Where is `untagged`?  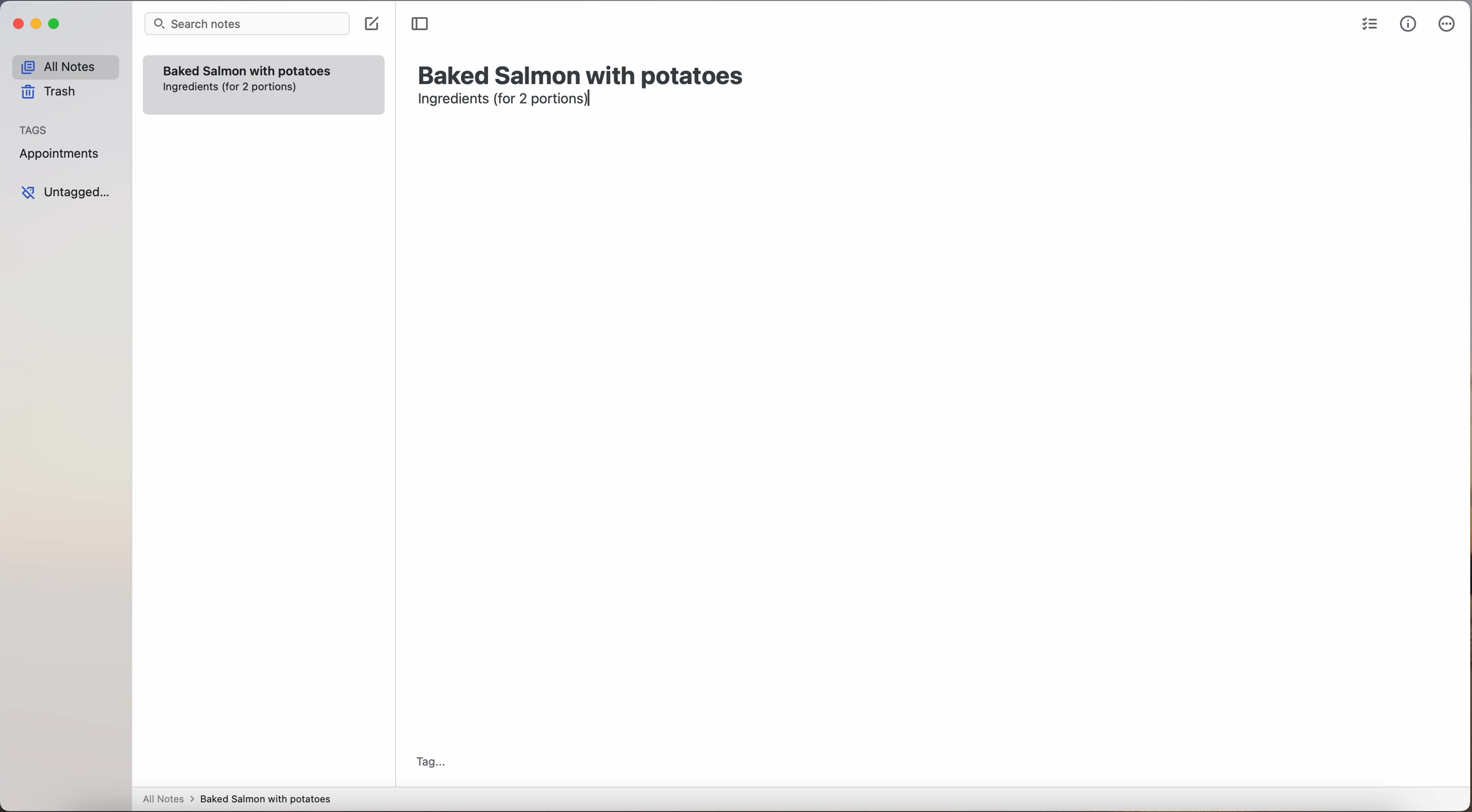 untagged is located at coordinates (67, 192).